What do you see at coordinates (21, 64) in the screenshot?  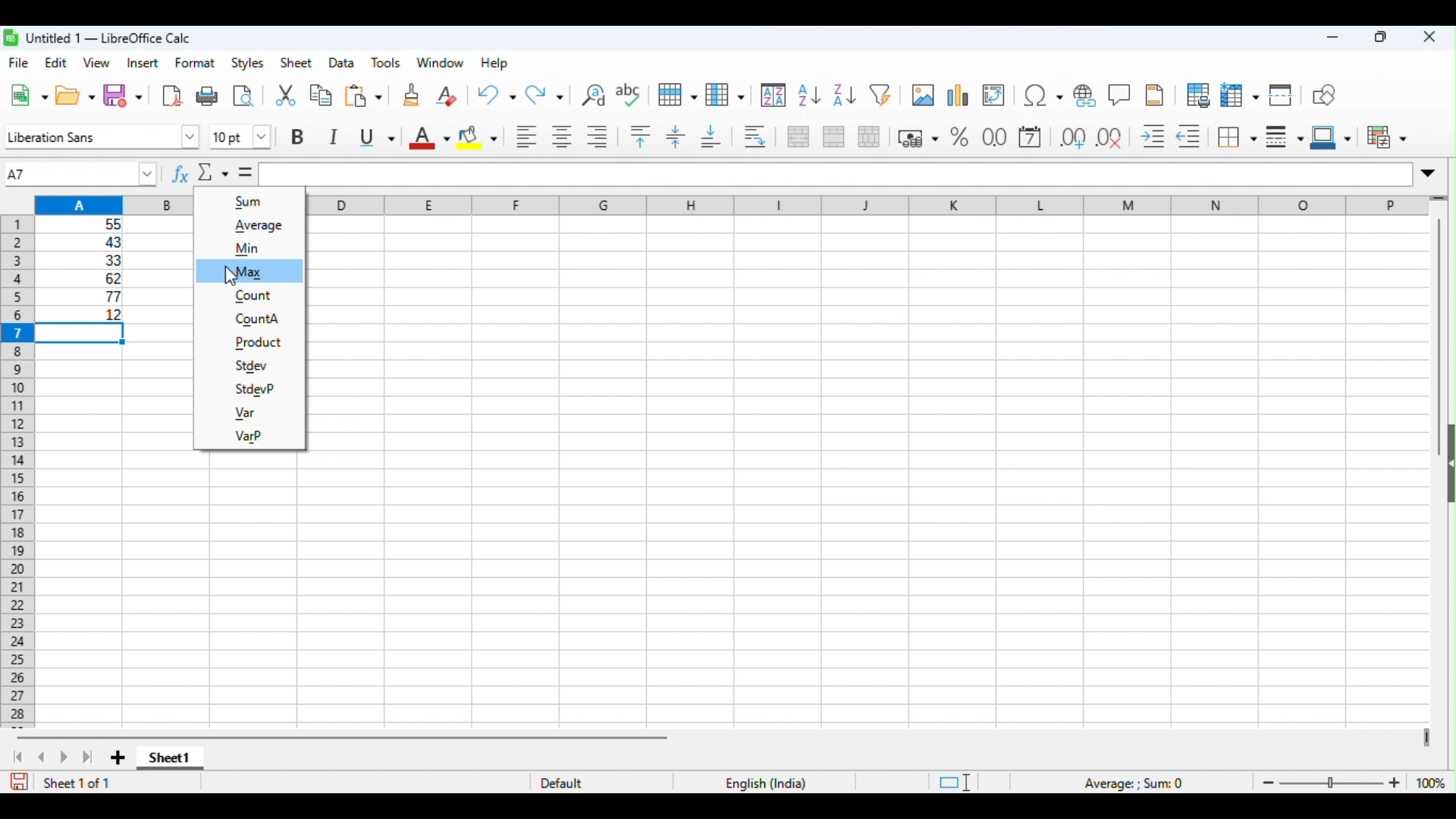 I see `file` at bounding box center [21, 64].